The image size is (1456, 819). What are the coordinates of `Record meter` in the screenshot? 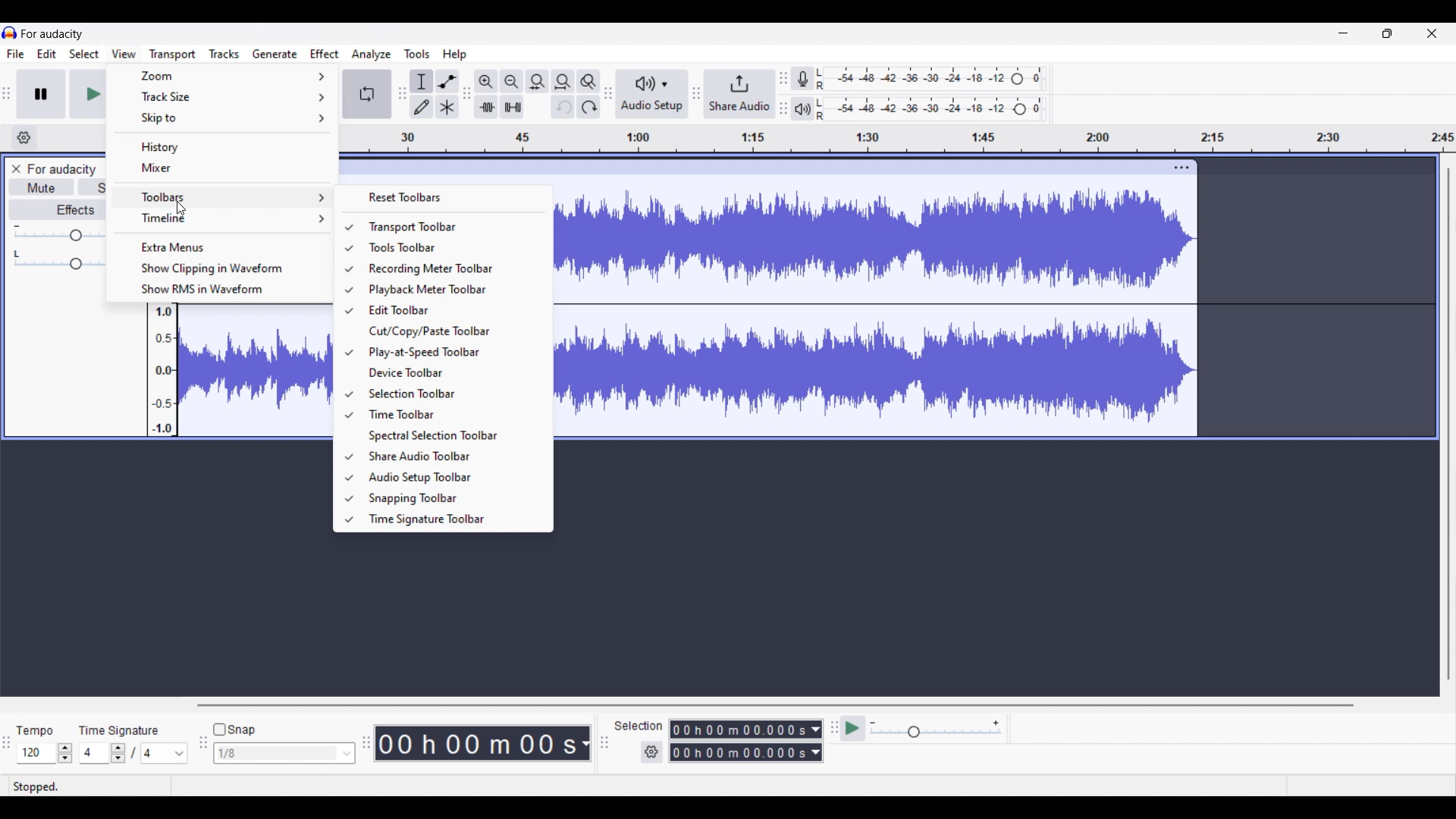 It's located at (803, 79).